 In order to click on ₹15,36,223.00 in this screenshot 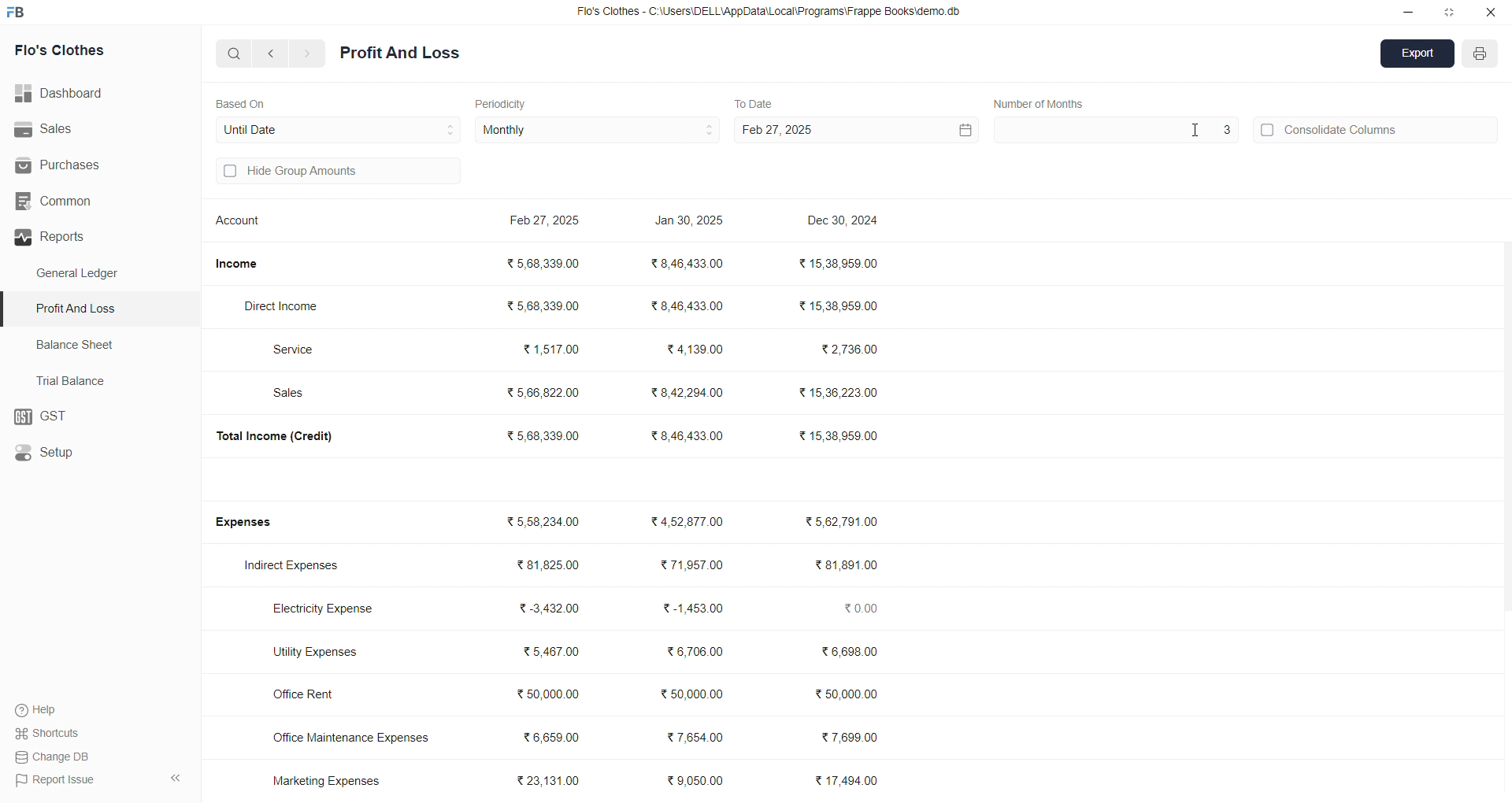, I will do `click(838, 390)`.